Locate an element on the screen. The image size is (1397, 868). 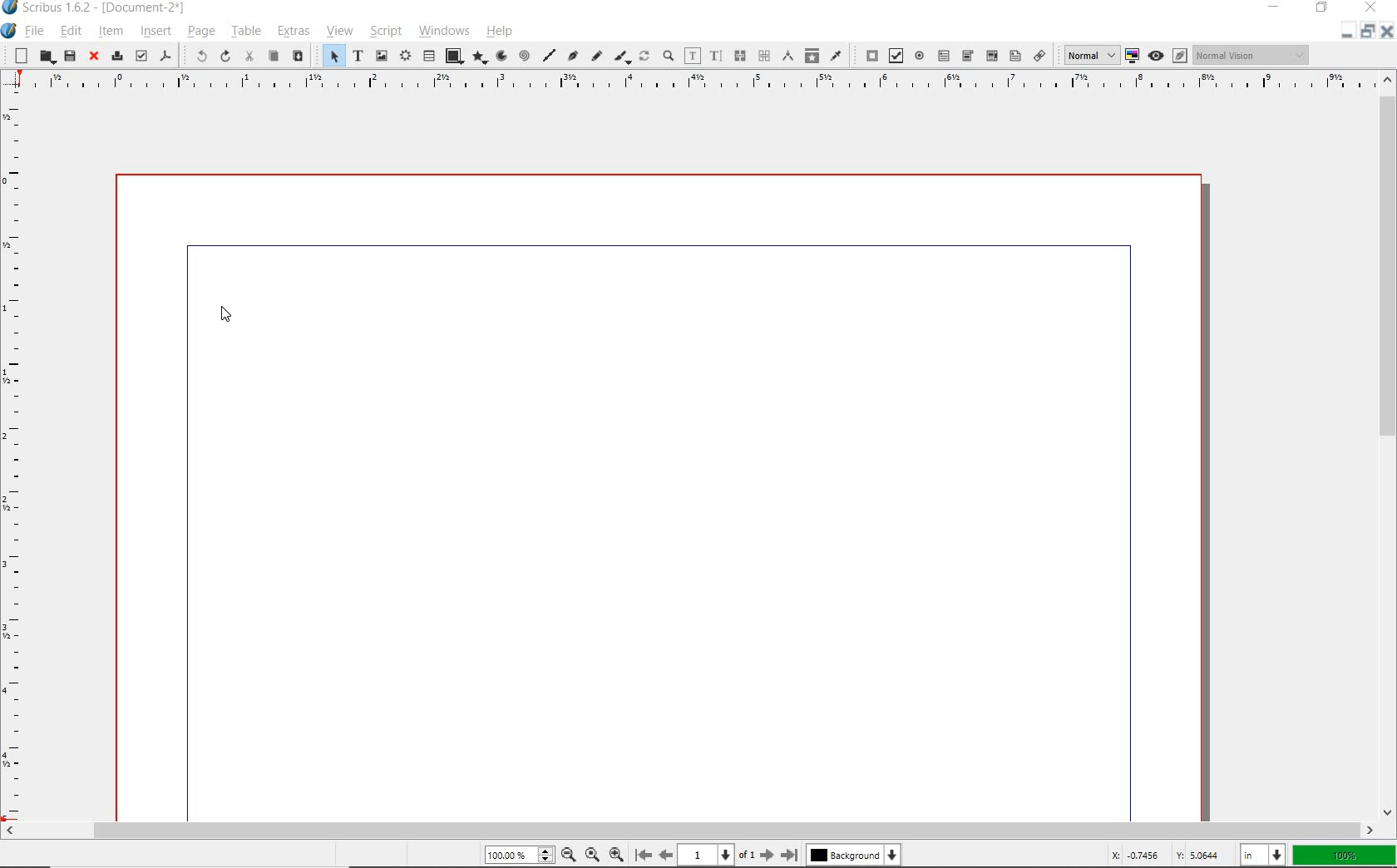
ruler is located at coordinates (689, 81).